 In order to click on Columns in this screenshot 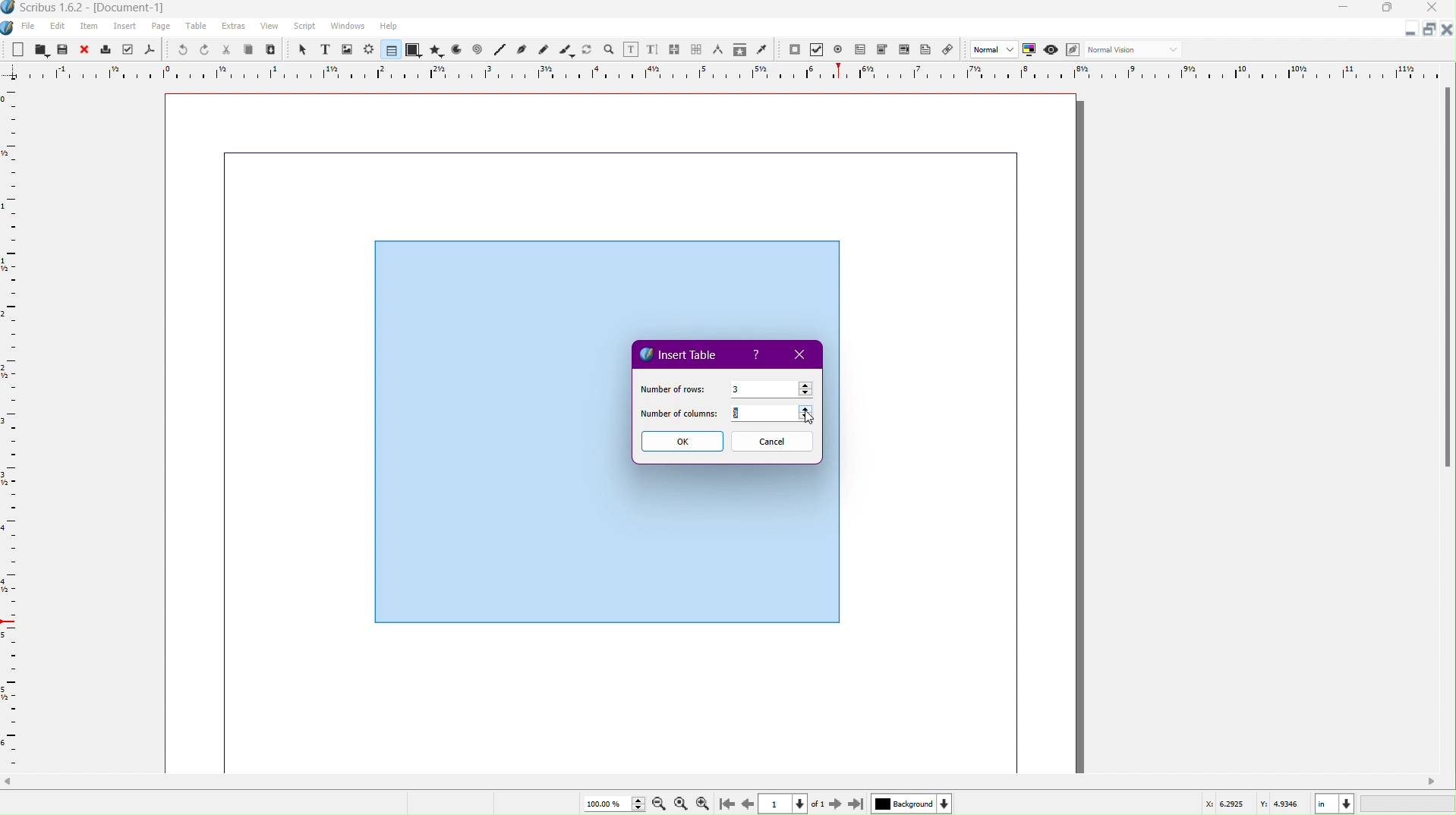, I will do `click(777, 415)`.